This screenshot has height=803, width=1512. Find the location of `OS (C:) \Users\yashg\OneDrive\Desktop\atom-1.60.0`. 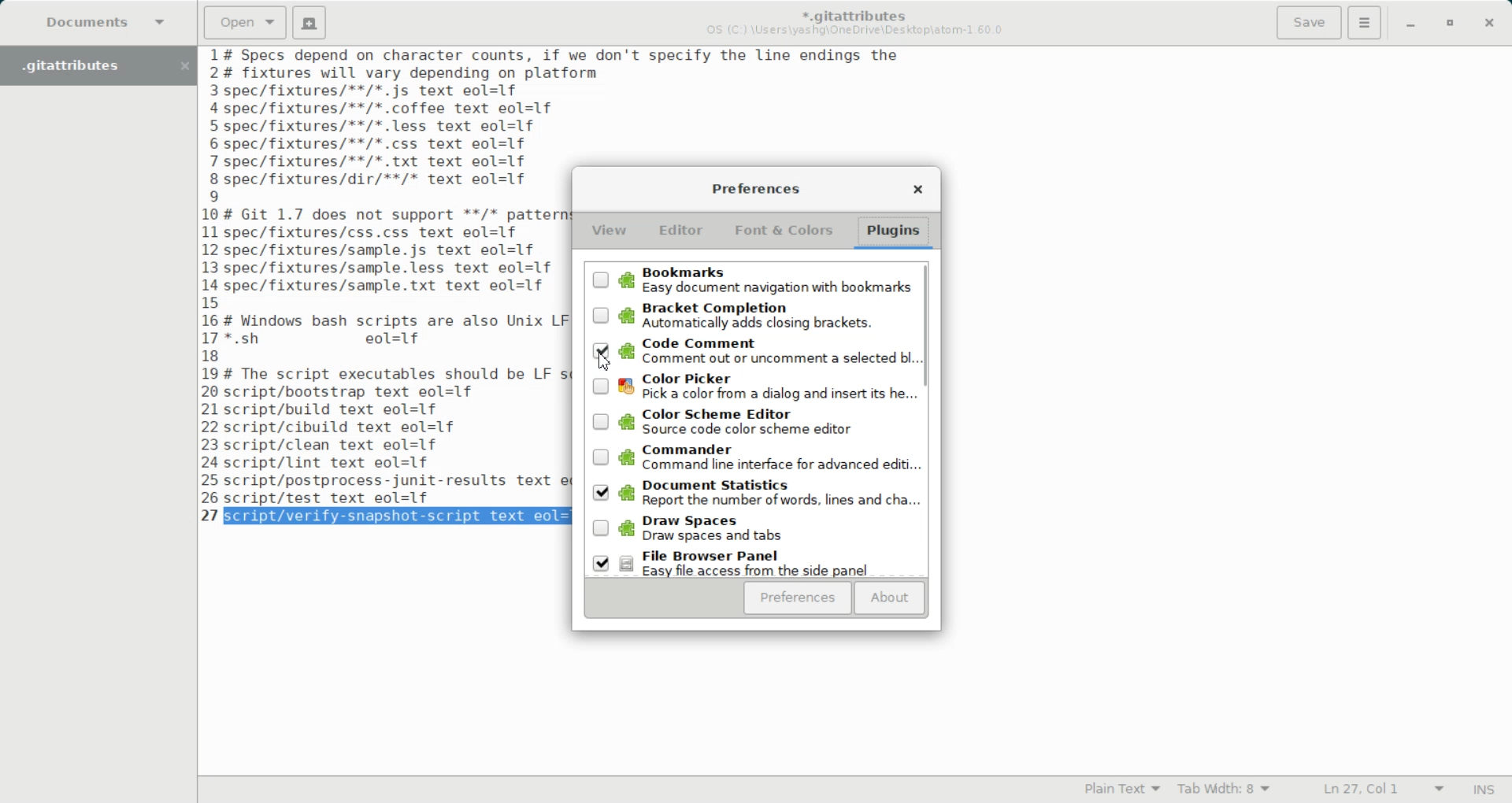

OS (C:) \Users\yashg\OneDrive\Desktop\atom-1.60.0 is located at coordinates (858, 31).